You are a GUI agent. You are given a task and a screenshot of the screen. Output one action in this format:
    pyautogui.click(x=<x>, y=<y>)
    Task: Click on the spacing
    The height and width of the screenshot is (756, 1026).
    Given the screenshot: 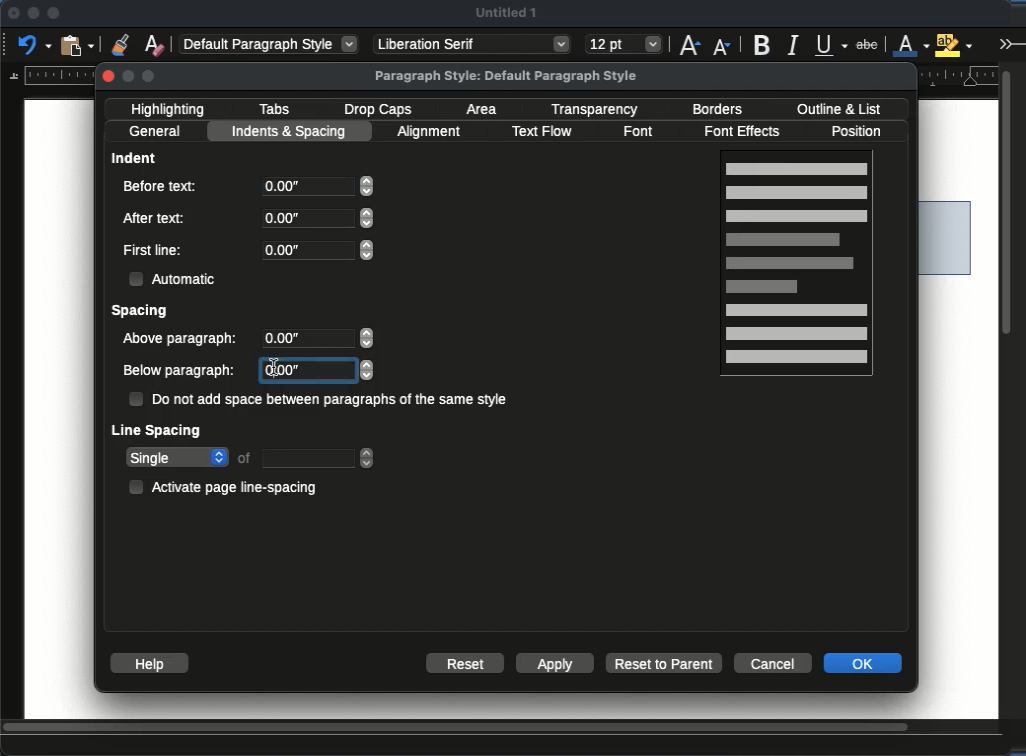 What is the action you would take?
    pyautogui.click(x=142, y=312)
    